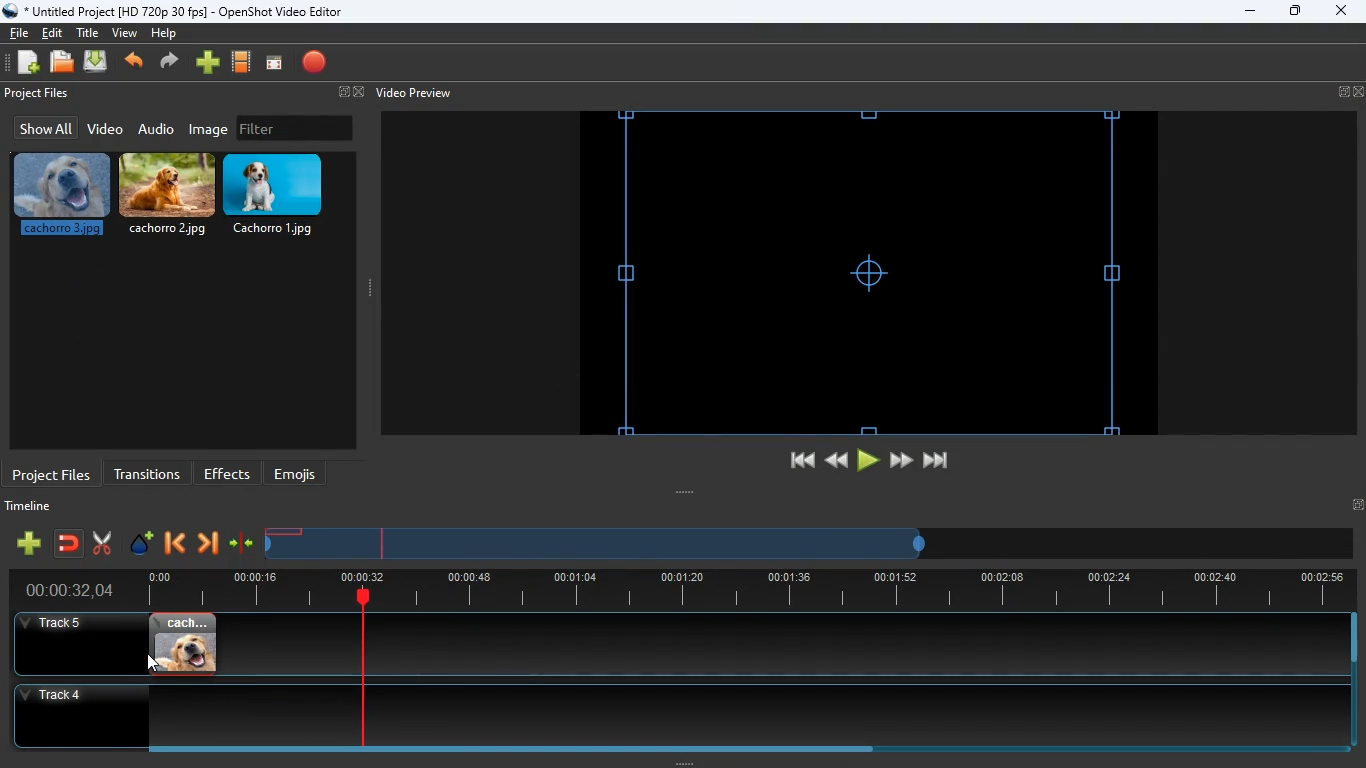  Describe the element at coordinates (242, 63) in the screenshot. I see `film` at that location.